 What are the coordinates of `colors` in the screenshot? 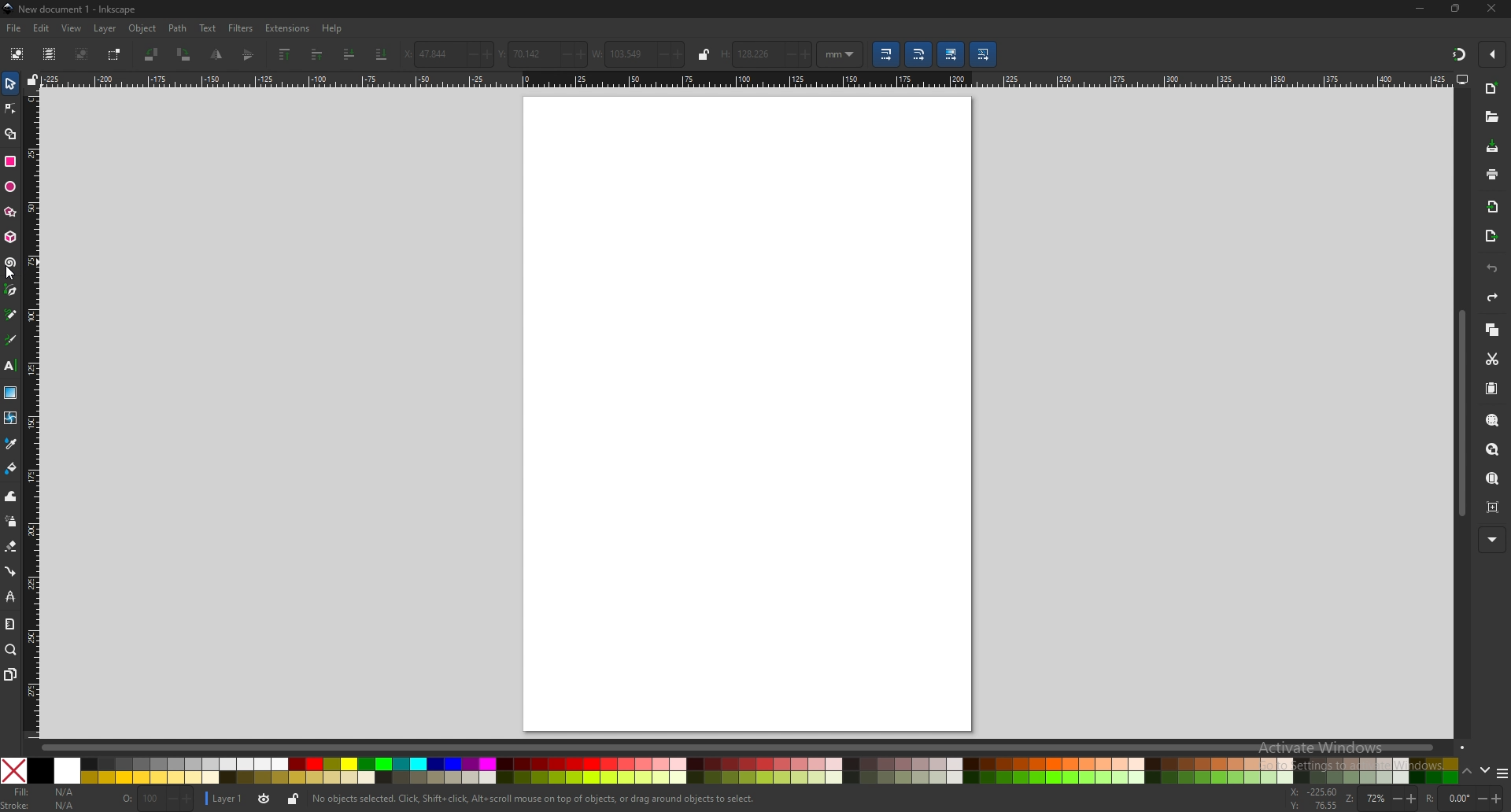 It's located at (730, 770).